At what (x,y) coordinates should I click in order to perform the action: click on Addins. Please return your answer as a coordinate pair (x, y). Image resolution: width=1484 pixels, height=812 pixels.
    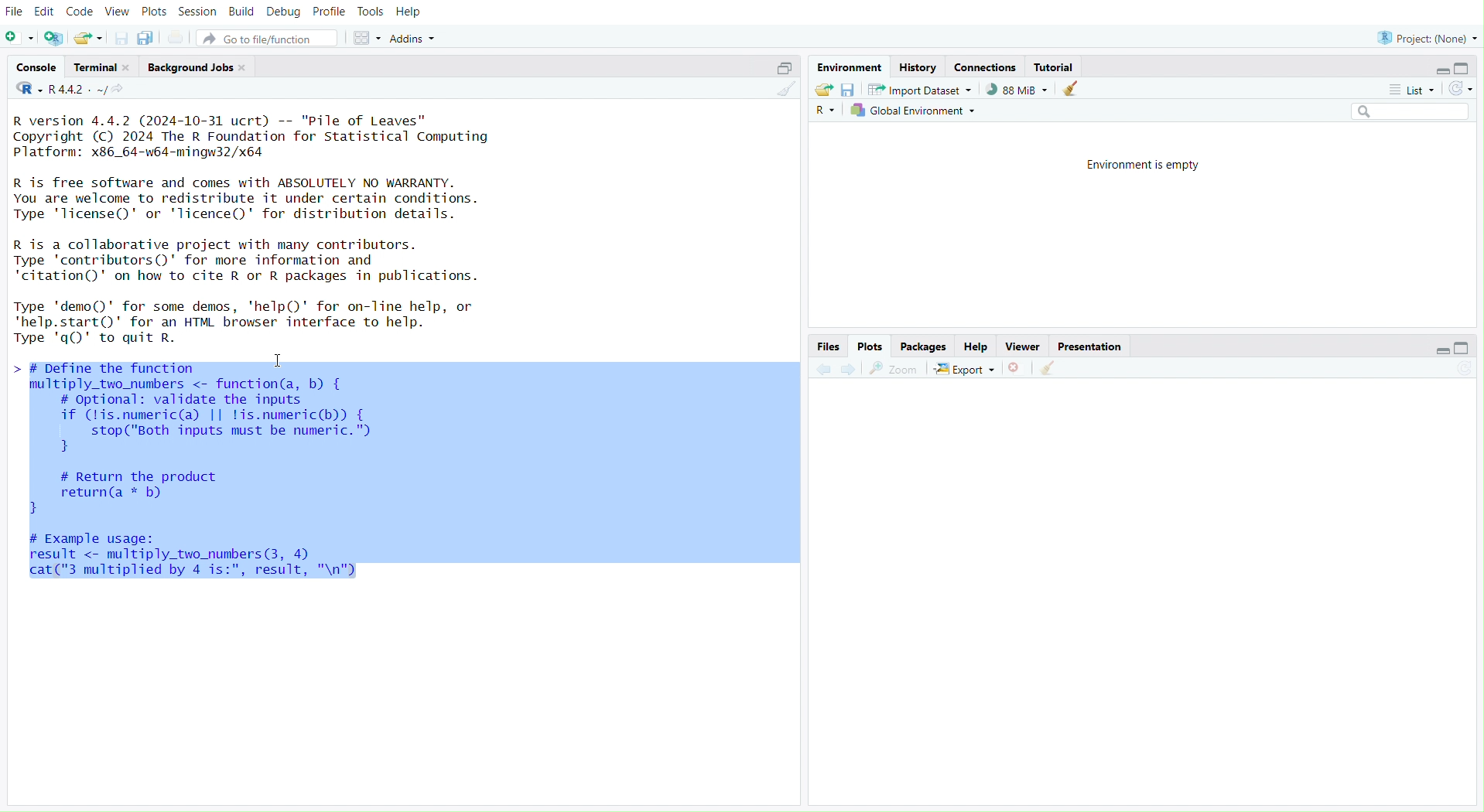
    Looking at the image, I should click on (419, 37).